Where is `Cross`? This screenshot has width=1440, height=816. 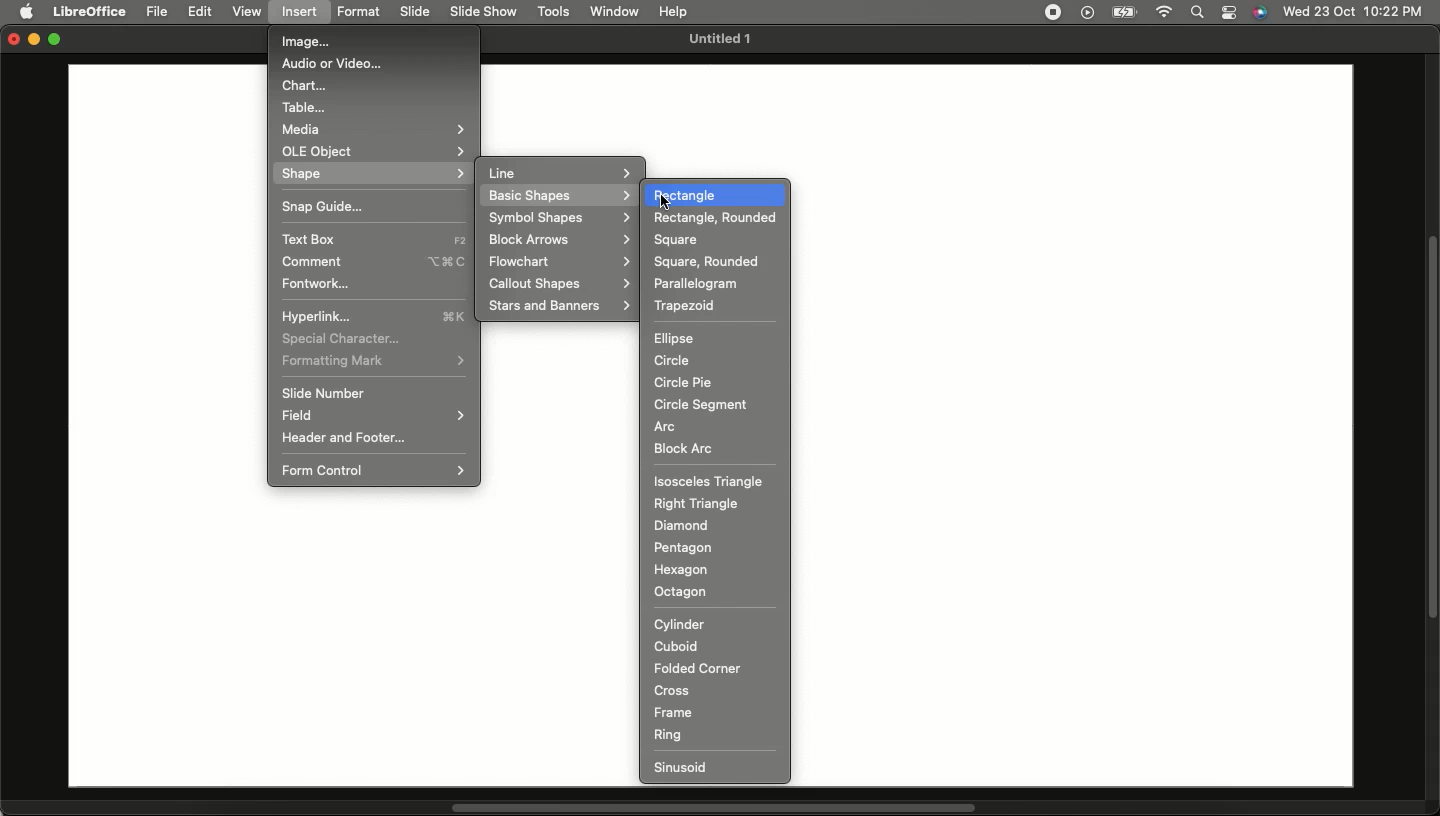 Cross is located at coordinates (678, 691).